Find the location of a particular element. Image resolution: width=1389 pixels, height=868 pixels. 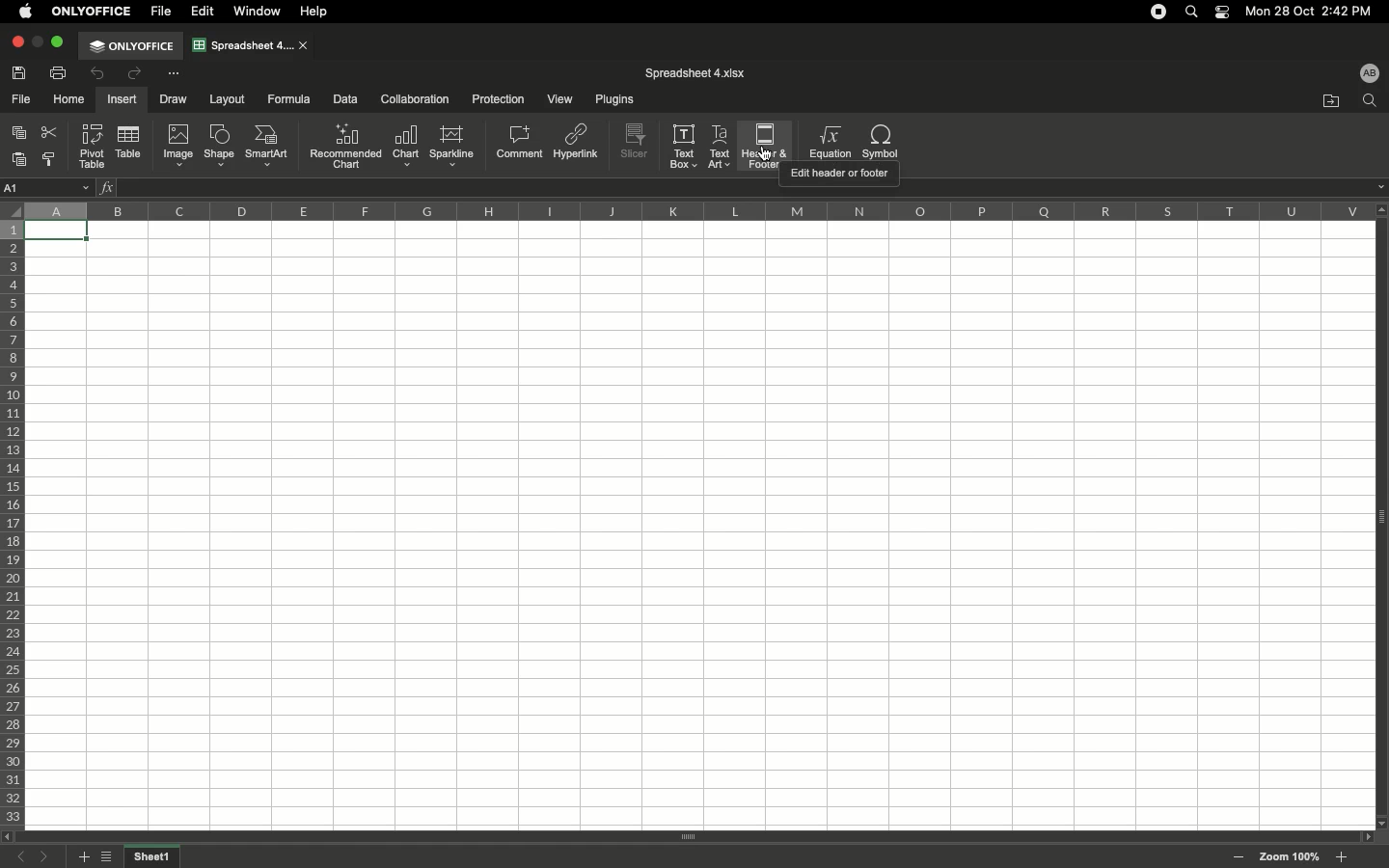

Maximize is located at coordinates (60, 41).